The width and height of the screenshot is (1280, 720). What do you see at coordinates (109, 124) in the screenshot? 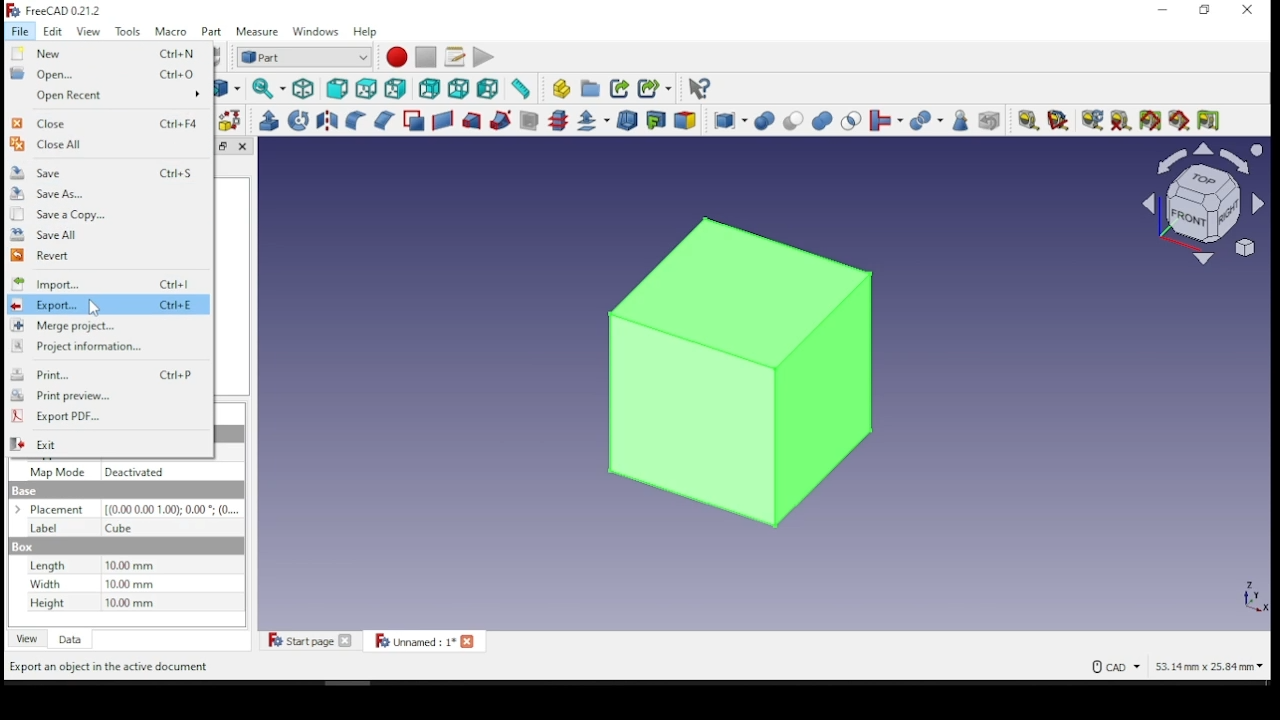
I see `close` at bounding box center [109, 124].